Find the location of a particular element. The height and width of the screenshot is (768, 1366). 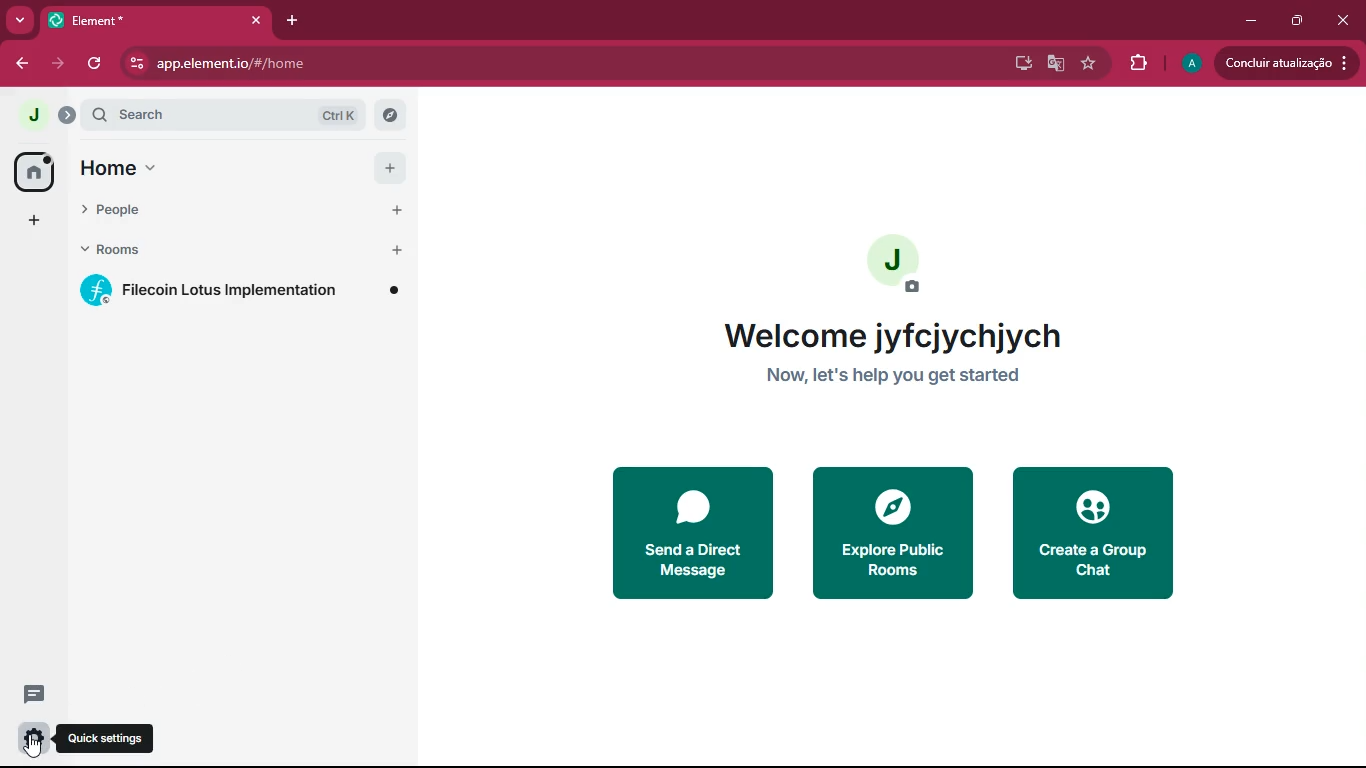

add is located at coordinates (390, 170).